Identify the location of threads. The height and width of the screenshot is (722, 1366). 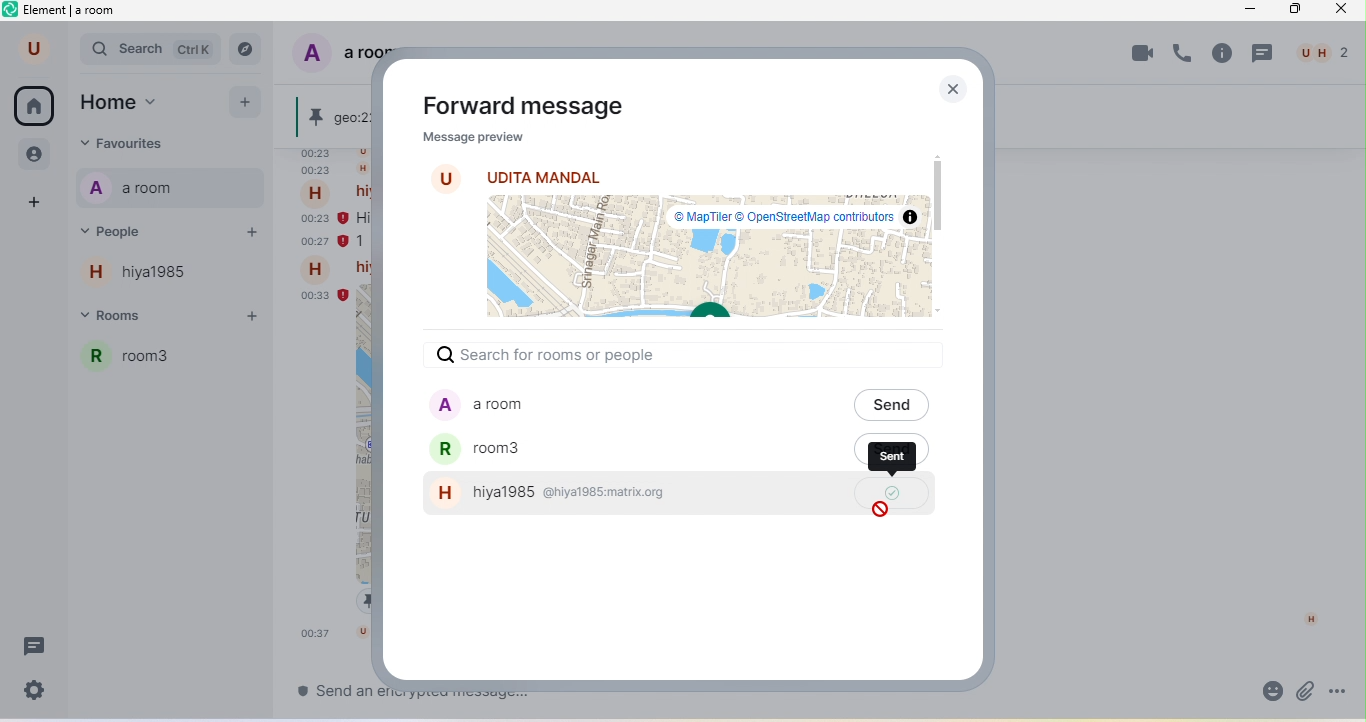
(37, 647).